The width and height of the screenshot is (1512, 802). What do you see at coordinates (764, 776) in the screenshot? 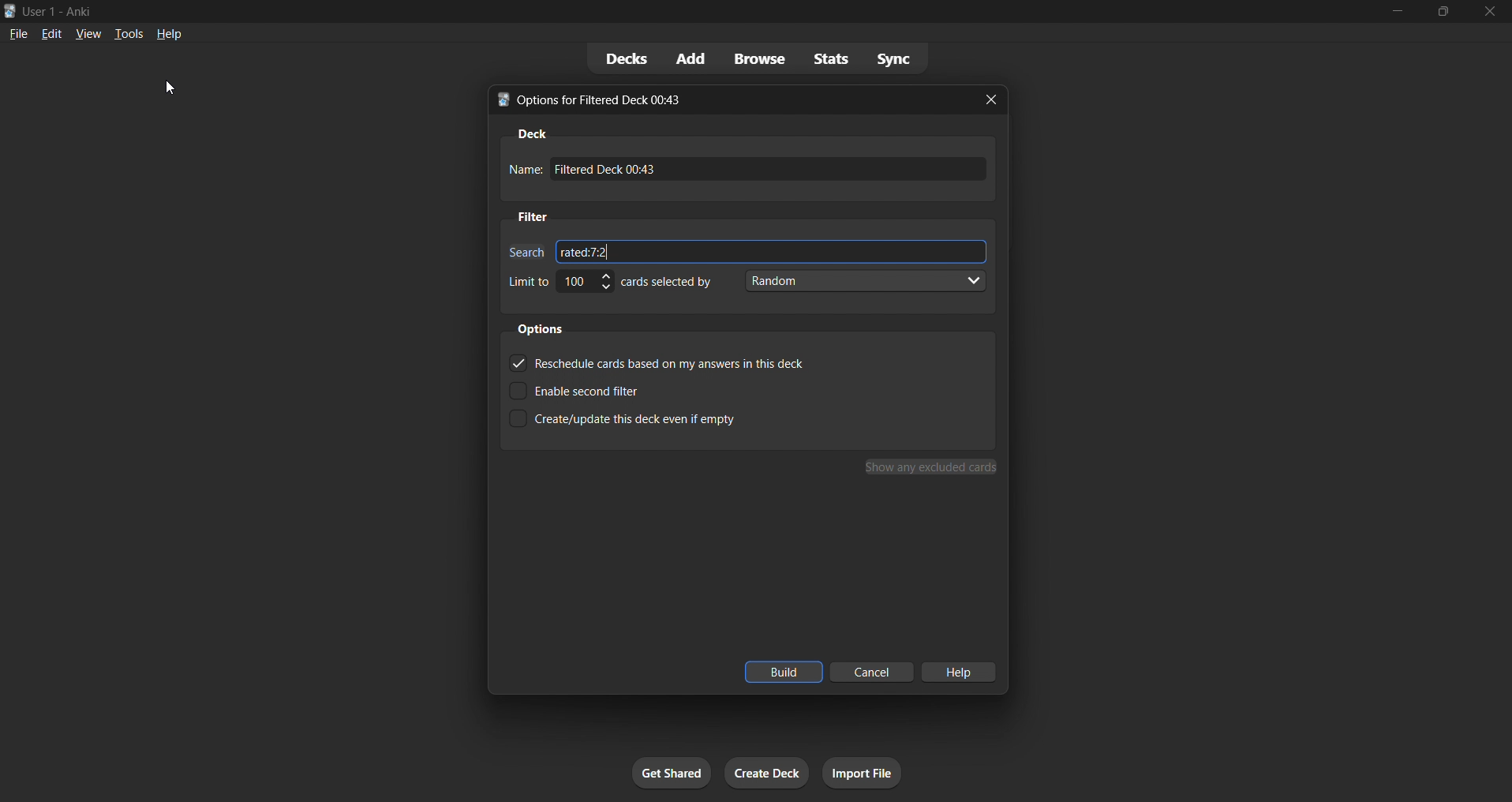
I see `create deck` at bounding box center [764, 776].